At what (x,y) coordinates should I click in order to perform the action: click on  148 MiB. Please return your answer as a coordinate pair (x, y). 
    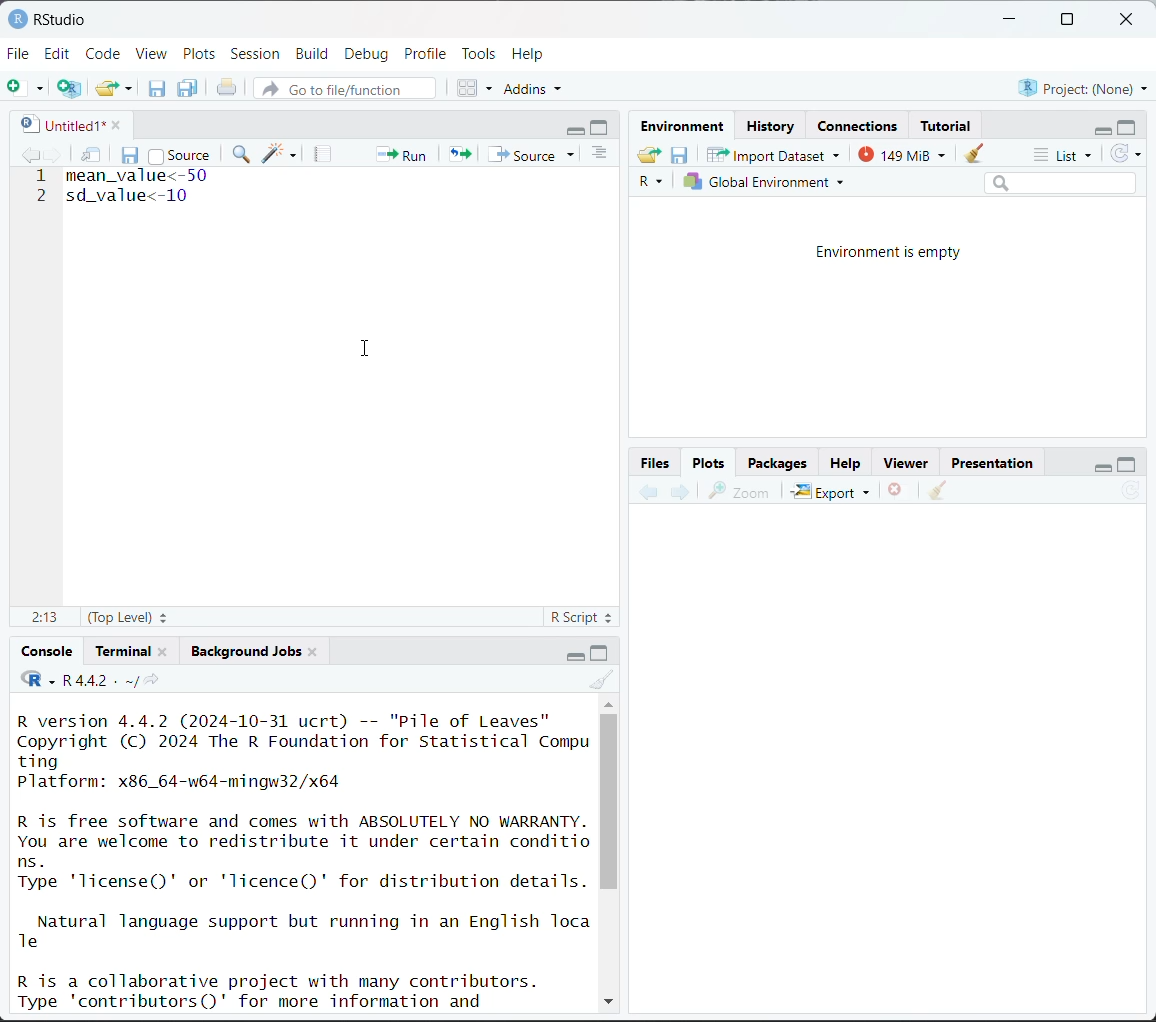
    Looking at the image, I should click on (899, 153).